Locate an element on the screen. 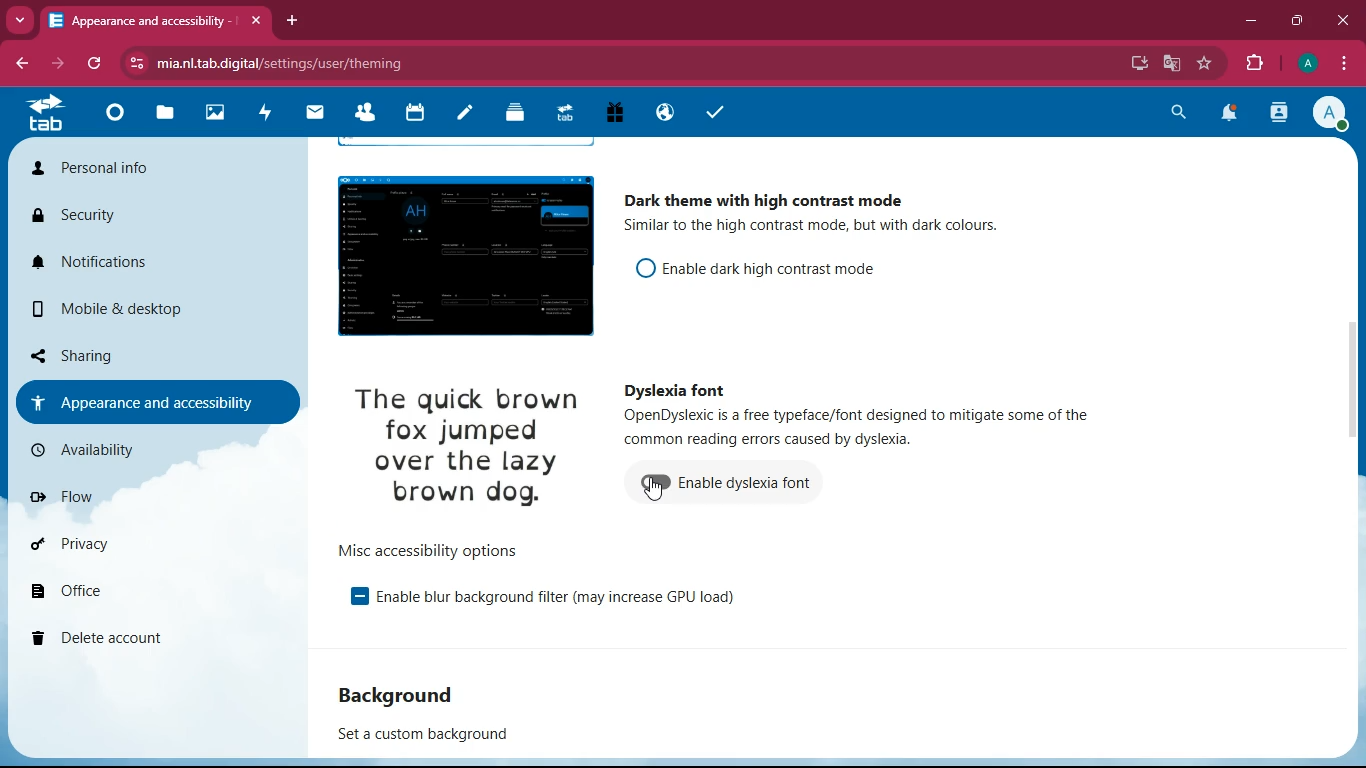 The width and height of the screenshot is (1366, 768). background is located at coordinates (401, 698).